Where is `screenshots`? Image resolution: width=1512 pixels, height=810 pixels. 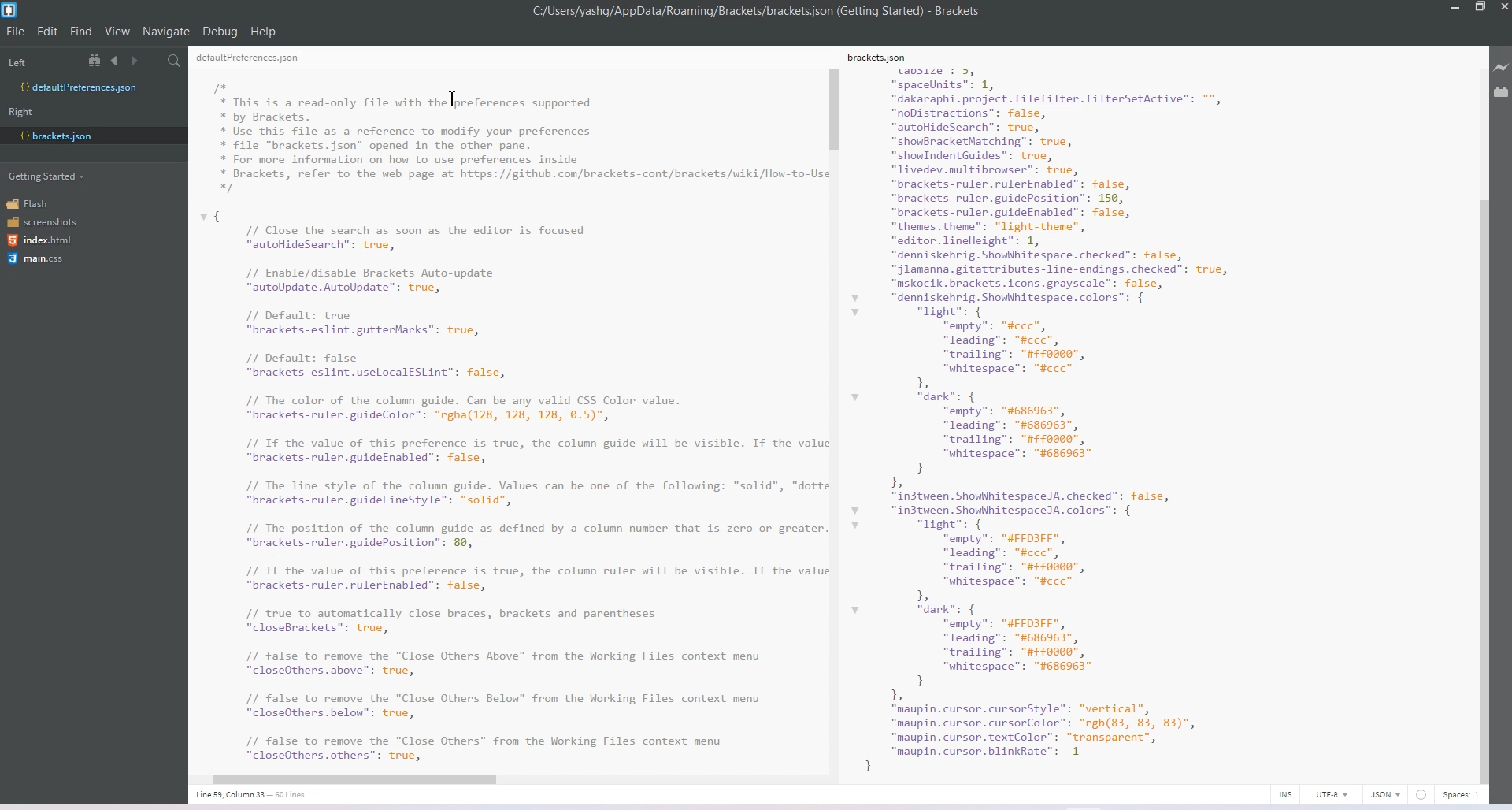 screenshots is located at coordinates (43, 223).